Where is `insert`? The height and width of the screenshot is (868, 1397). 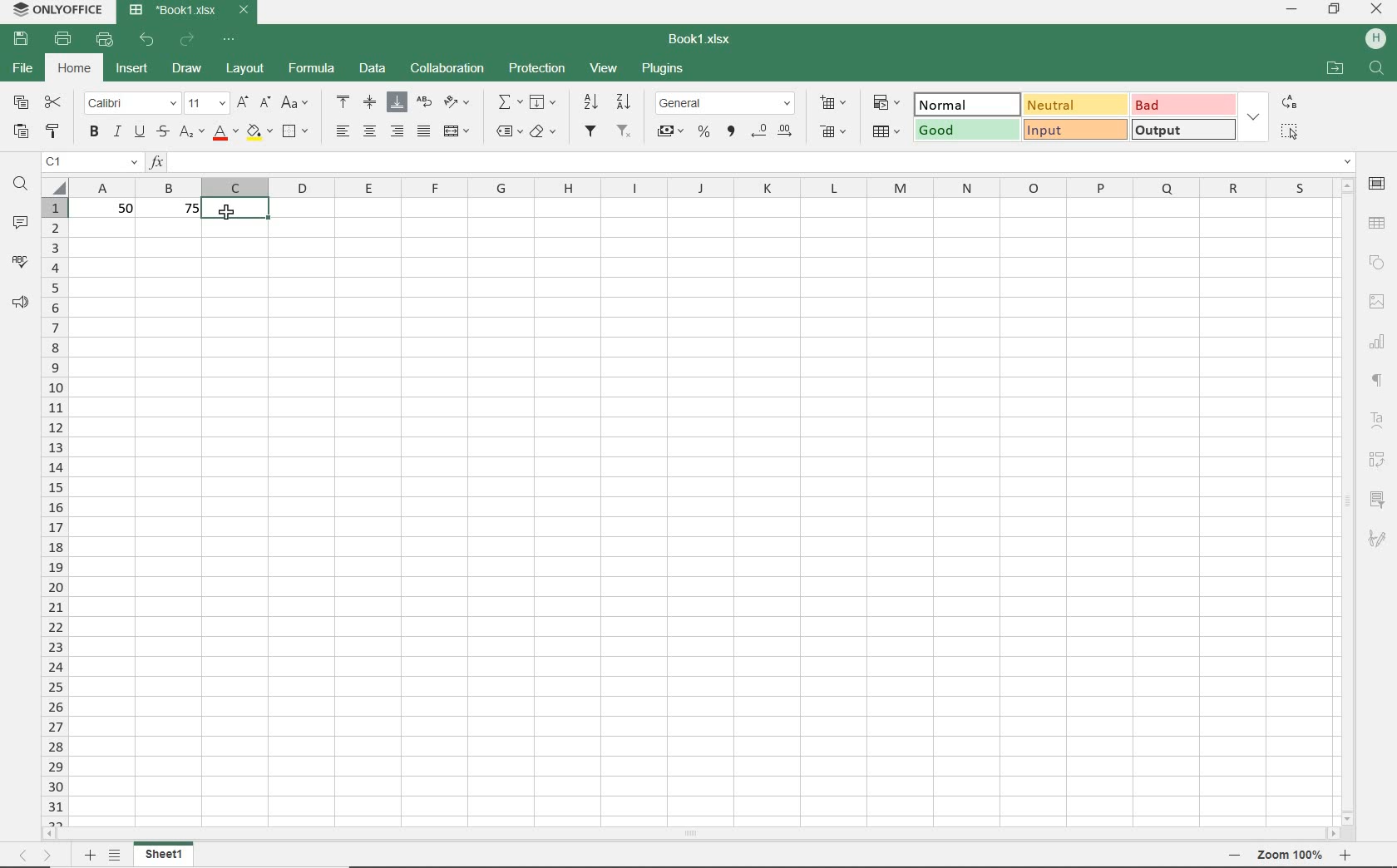
insert is located at coordinates (132, 69).